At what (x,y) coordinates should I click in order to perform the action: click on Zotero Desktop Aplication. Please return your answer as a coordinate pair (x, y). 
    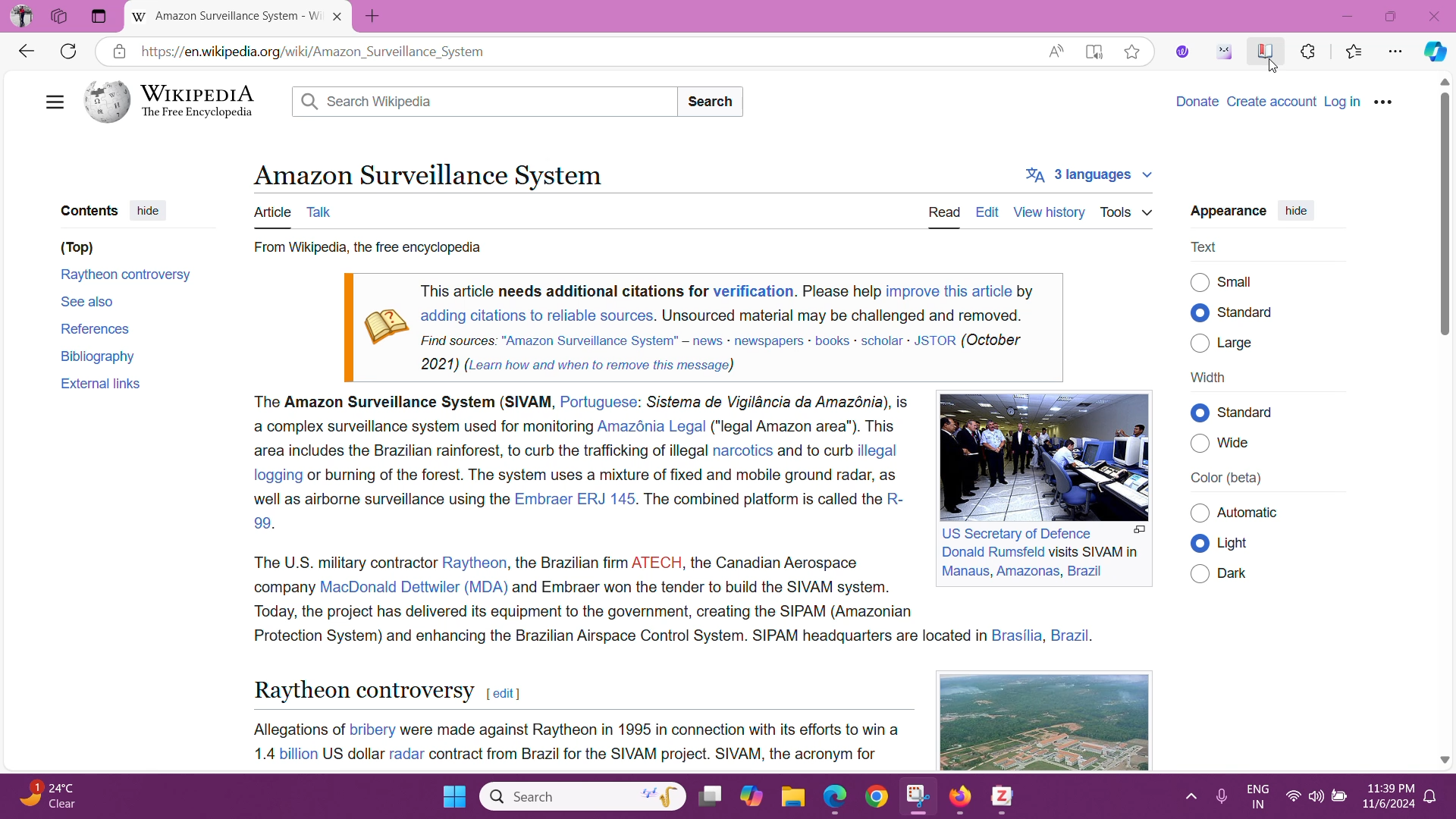
    Looking at the image, I should click on (1005, 800).